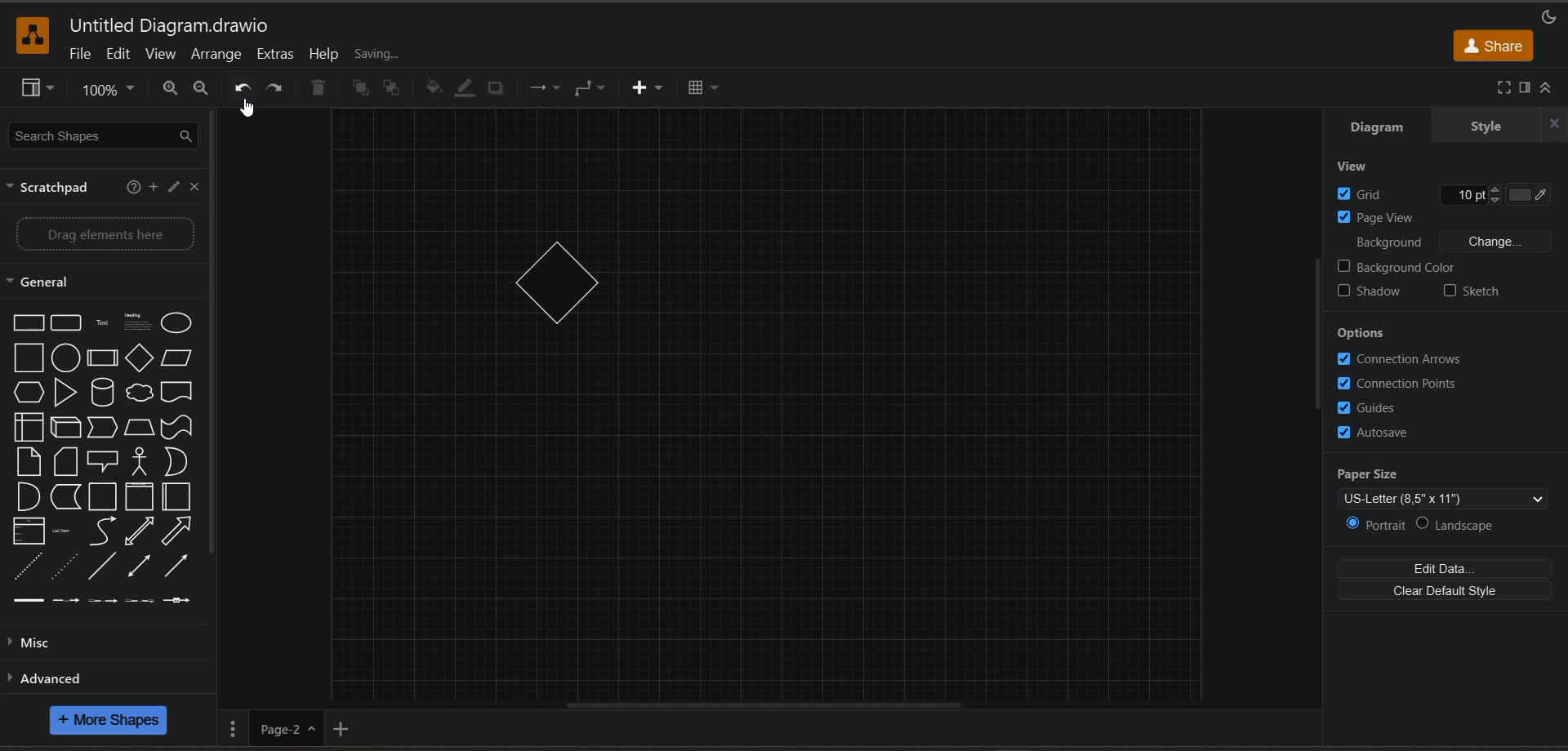 This screenshot has height=751, width=1568. Describe the element at coordinates (132, 189) in the screenshot. I see `help` at that location.